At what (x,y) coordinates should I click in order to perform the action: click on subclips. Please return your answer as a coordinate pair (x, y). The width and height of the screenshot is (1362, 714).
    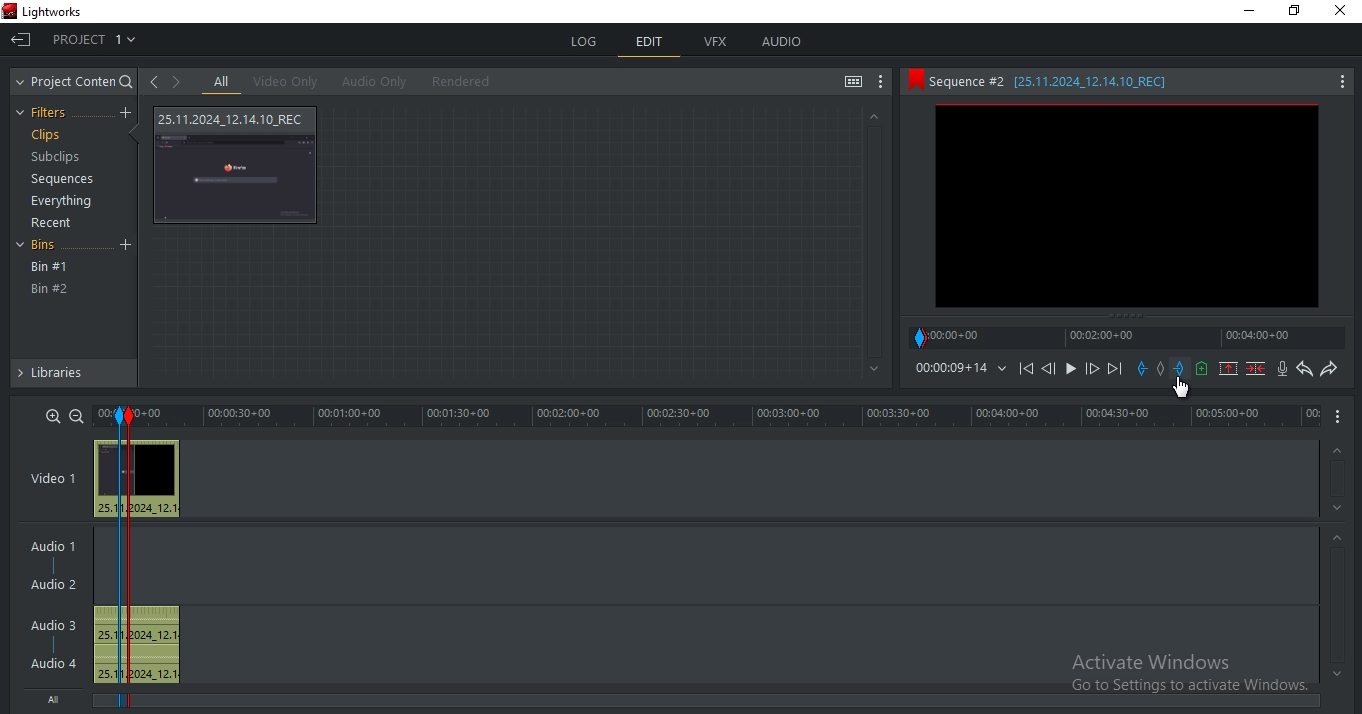
    Looking at the image, I should click on (58, 159).